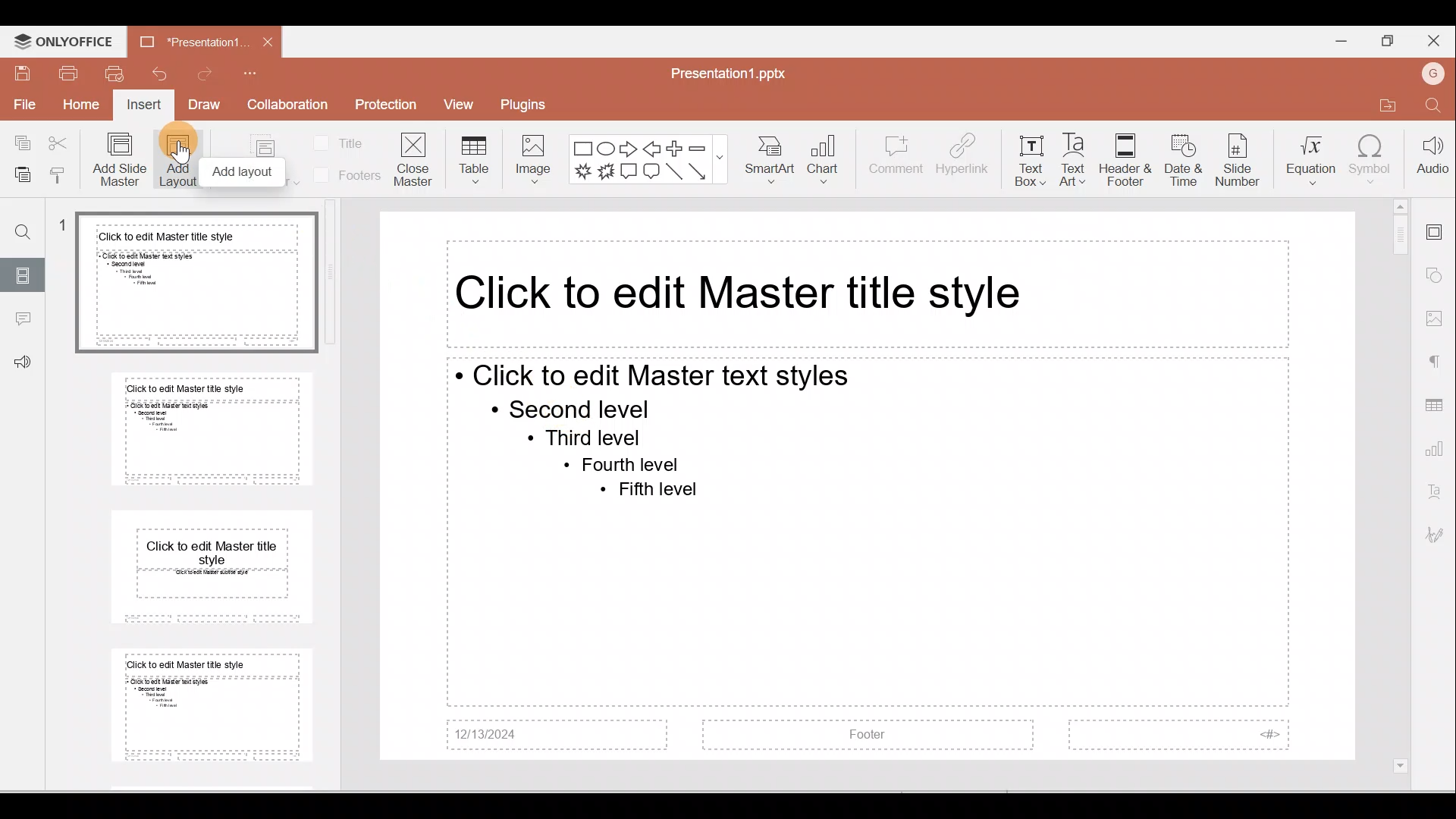 This screenshot has height=819, width=1456. I want to click on Chart, so click(829, 155).